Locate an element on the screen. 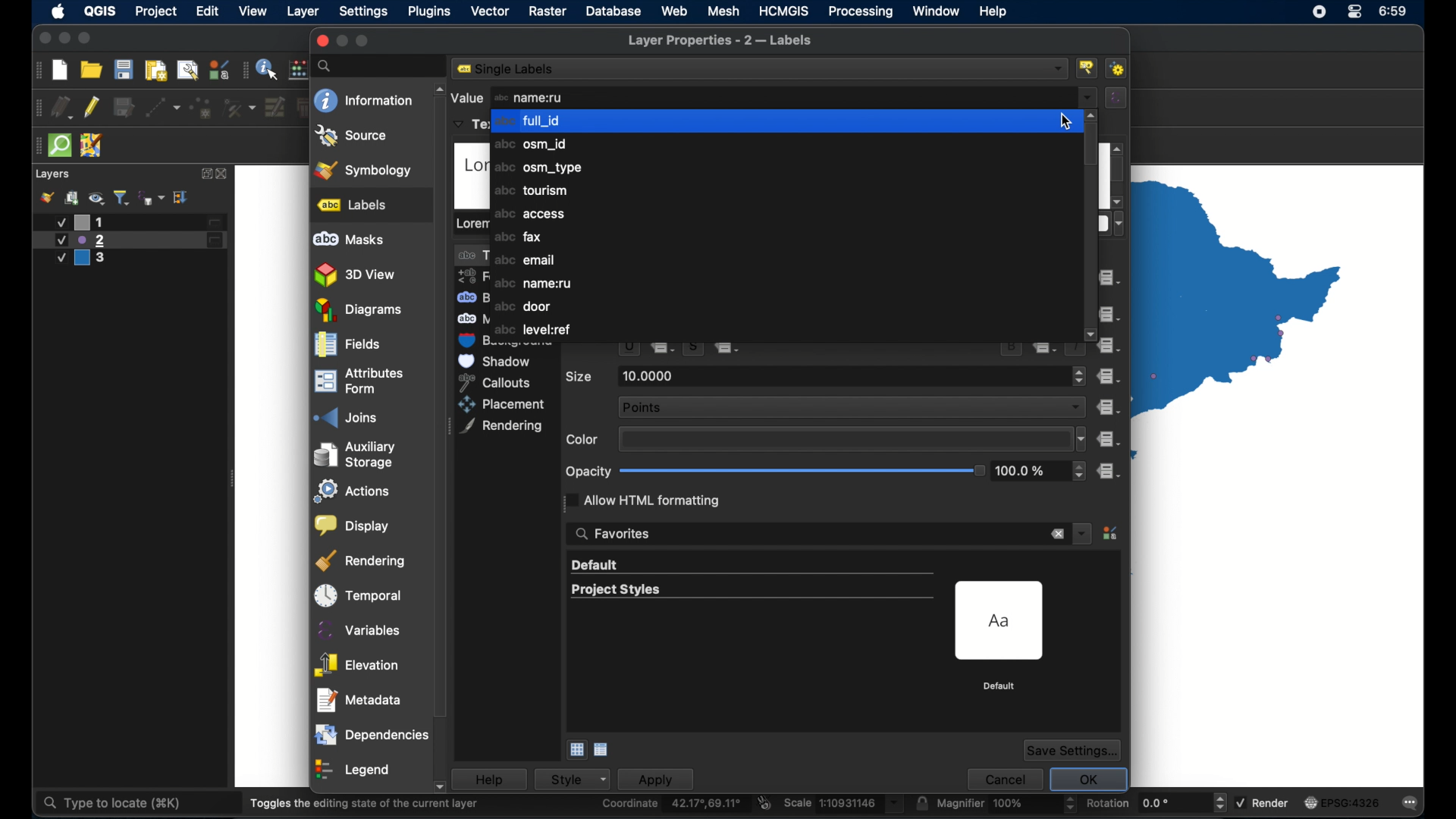 The height and width of the screenshot is (819, 1456). attributes form is located at coordinates (359, 380).